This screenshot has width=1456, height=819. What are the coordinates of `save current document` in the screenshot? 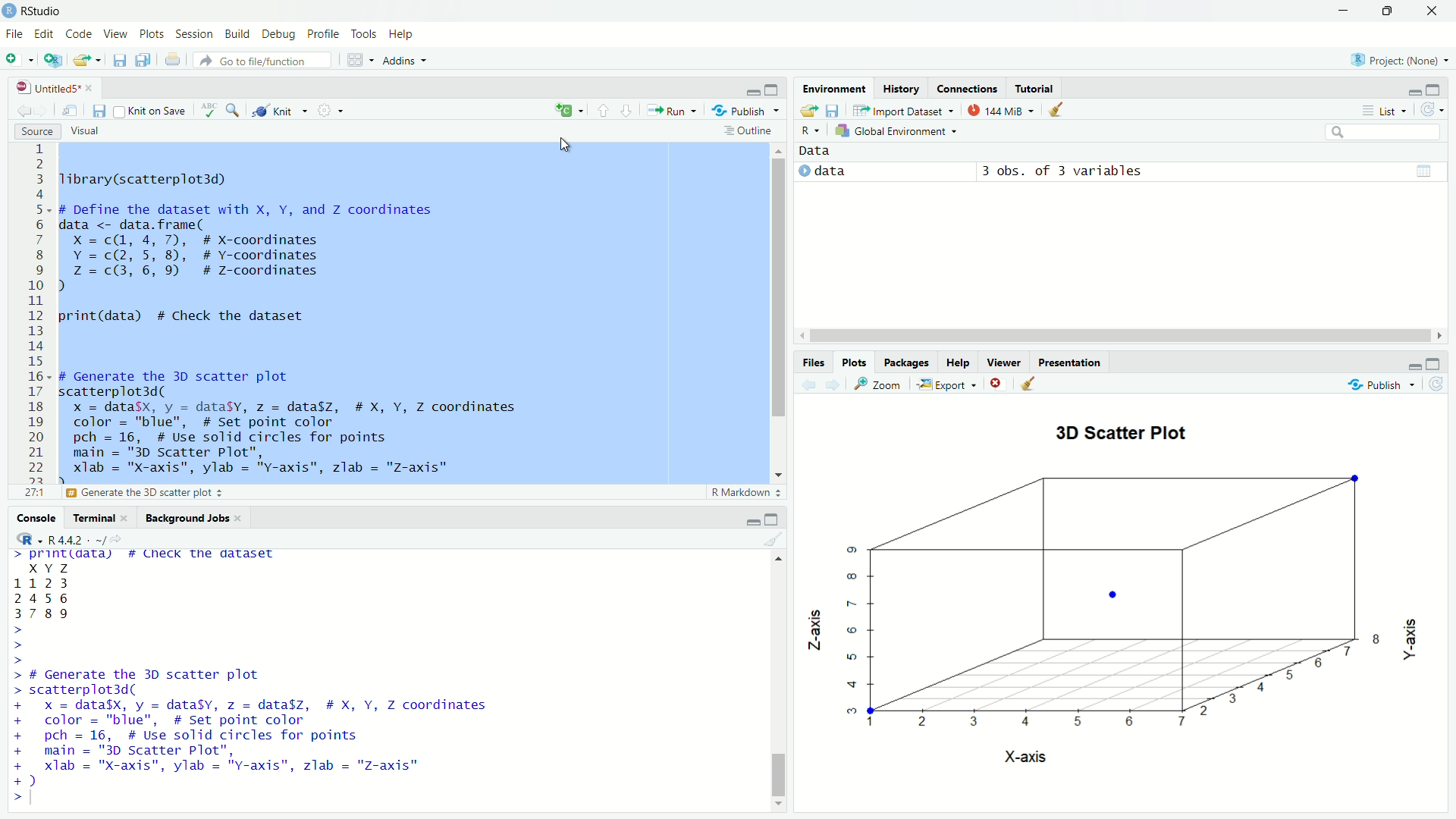 It's located at (118, 62).